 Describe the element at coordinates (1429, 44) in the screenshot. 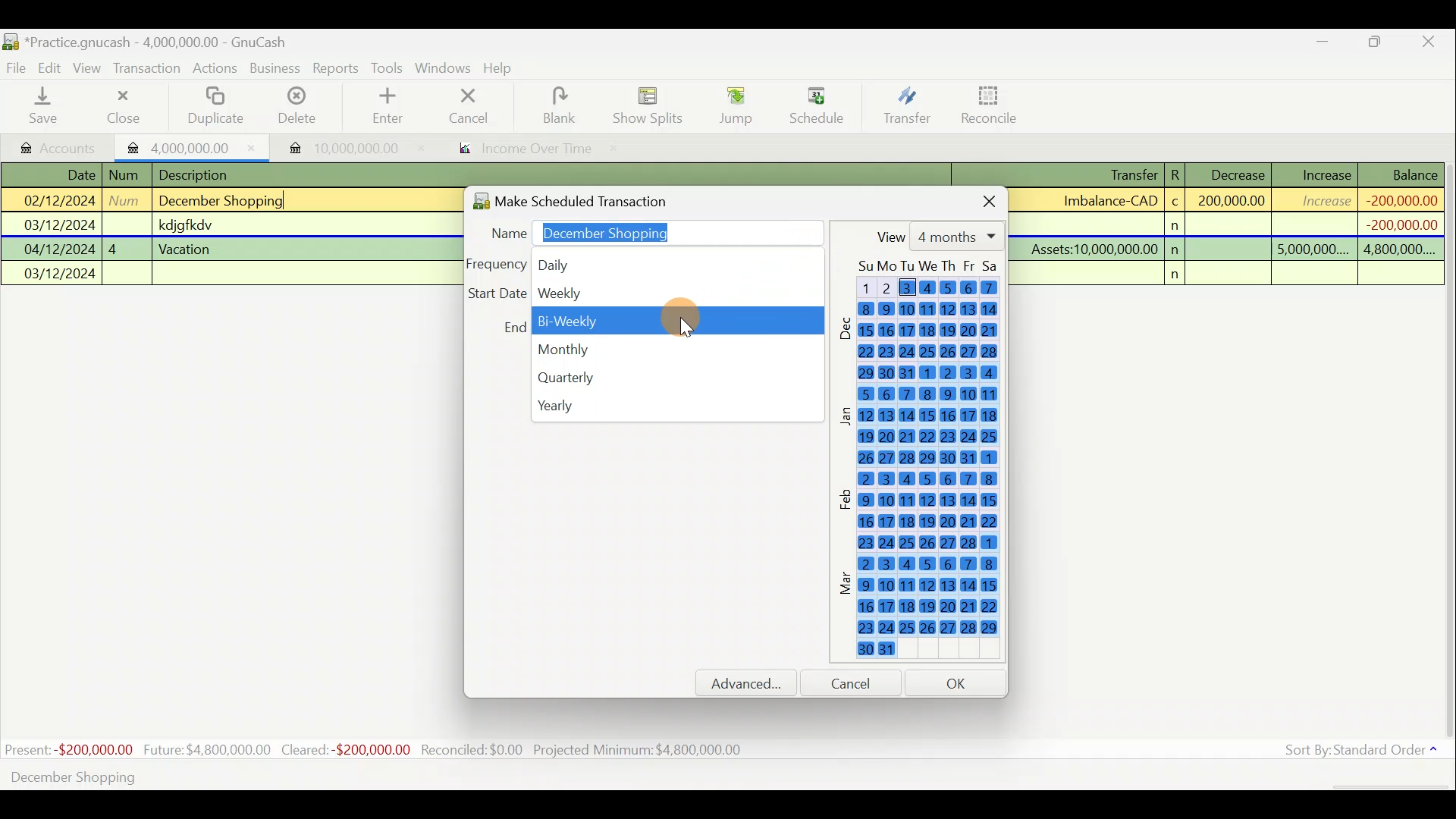

I see `Close` at that location.